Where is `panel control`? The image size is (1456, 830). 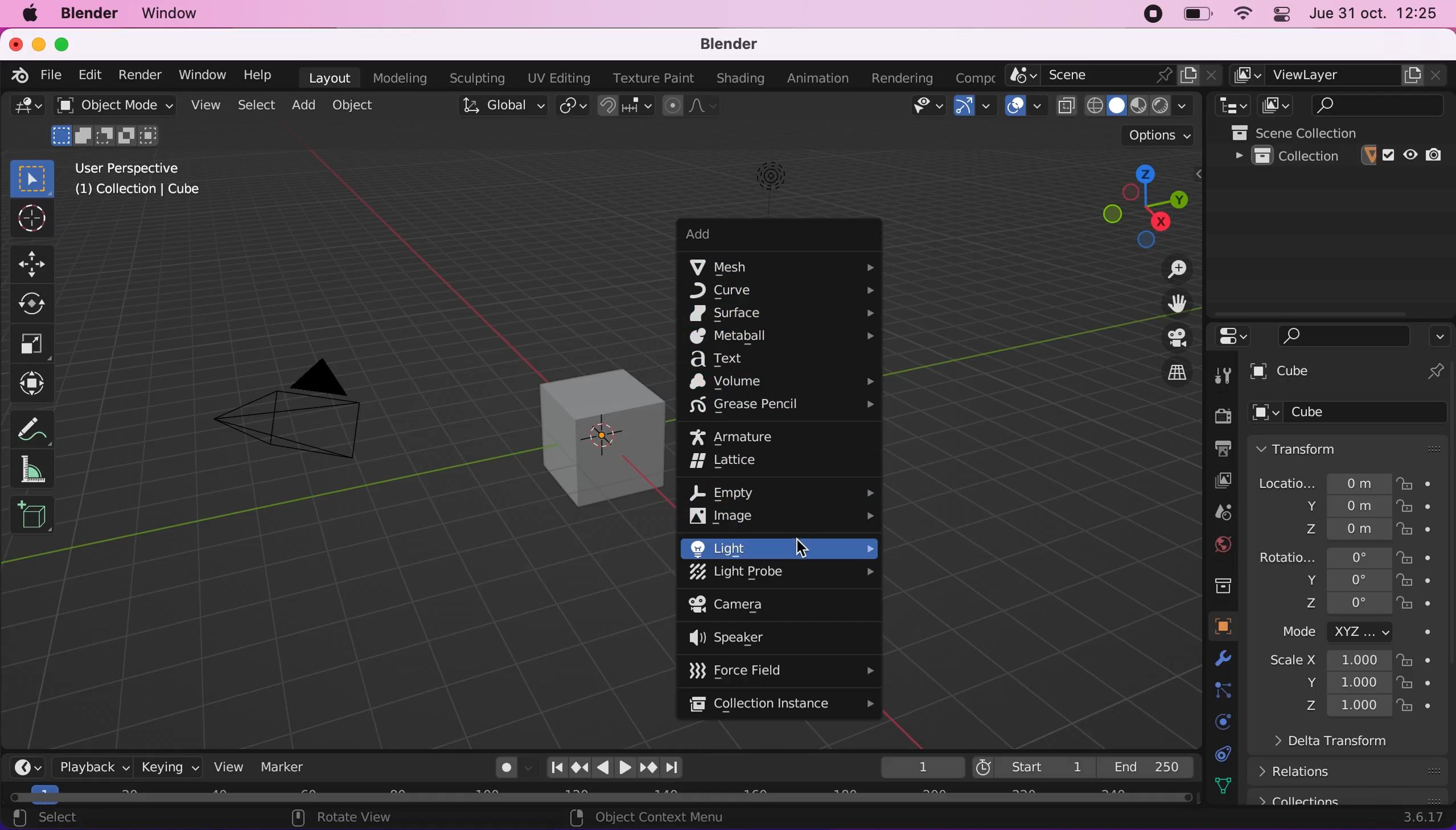 panel control is located at coordinates (1281, 14).